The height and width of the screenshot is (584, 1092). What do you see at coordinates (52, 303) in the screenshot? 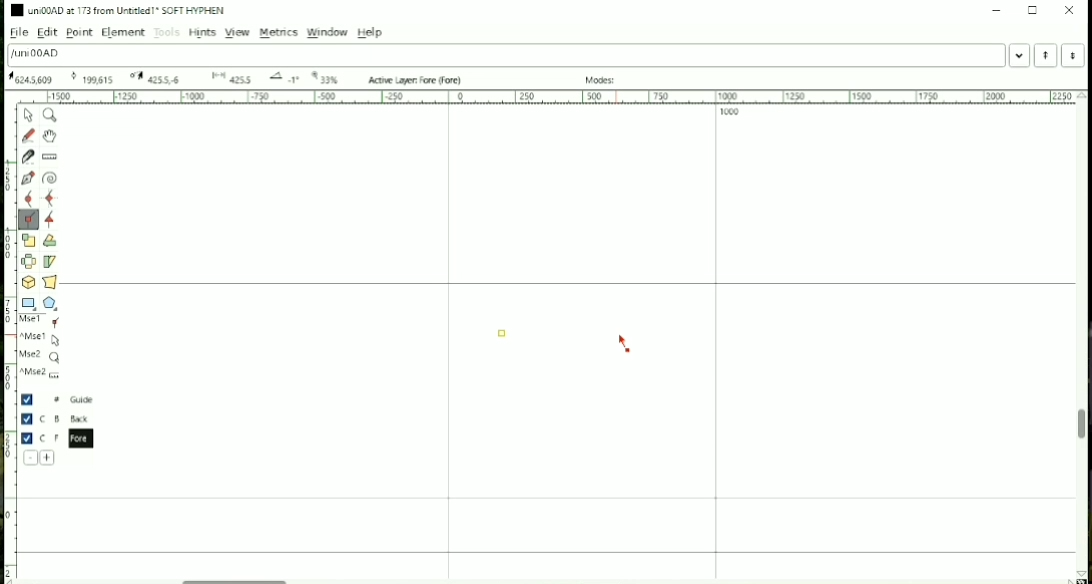
I see `Polygon or star` at bounding box center [52, 303].